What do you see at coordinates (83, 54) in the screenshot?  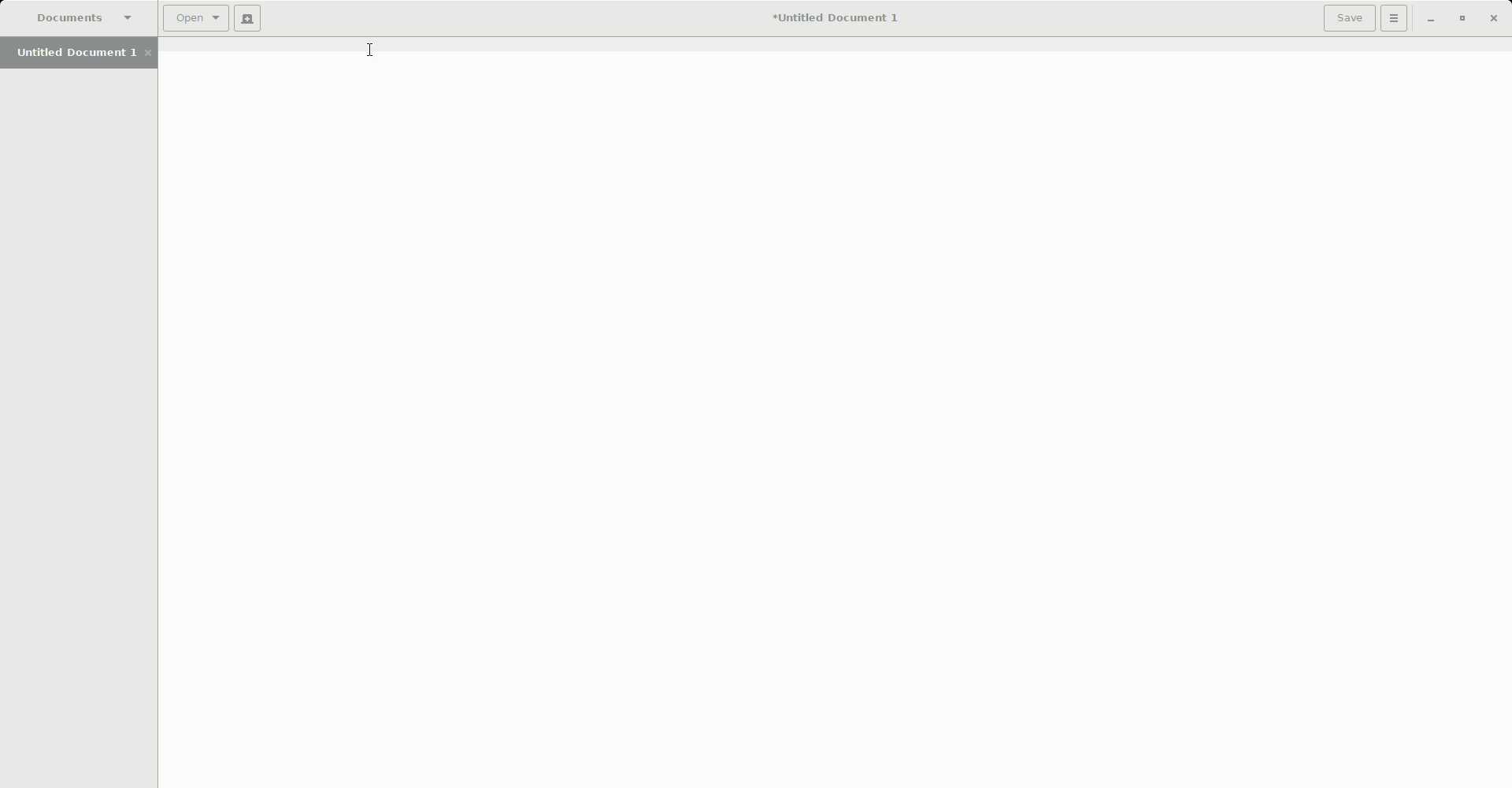 I see `Untitled Document 1` at bounding box center [83, 54].